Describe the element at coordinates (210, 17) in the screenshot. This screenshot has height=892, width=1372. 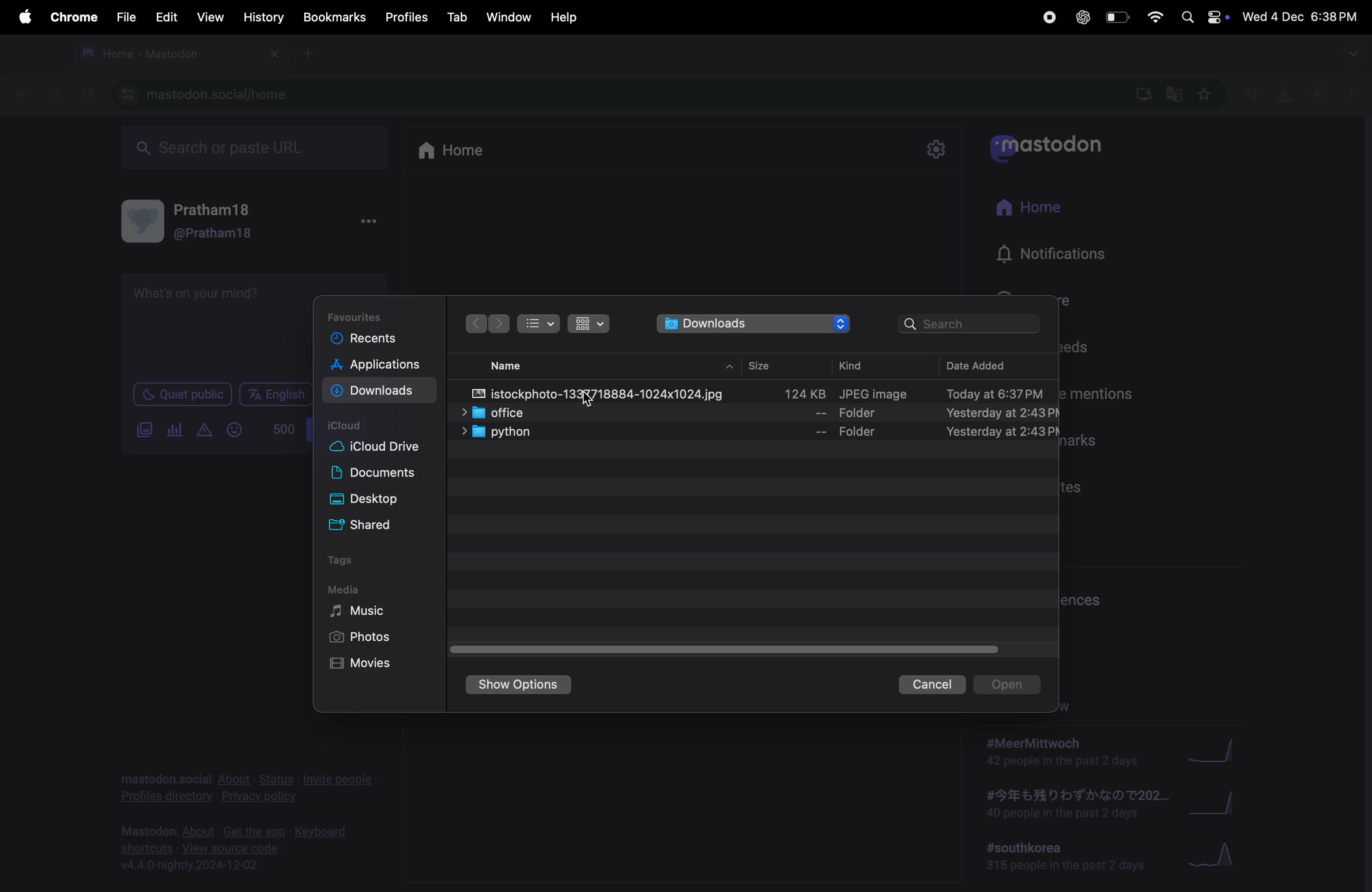
I see `view` at that location.